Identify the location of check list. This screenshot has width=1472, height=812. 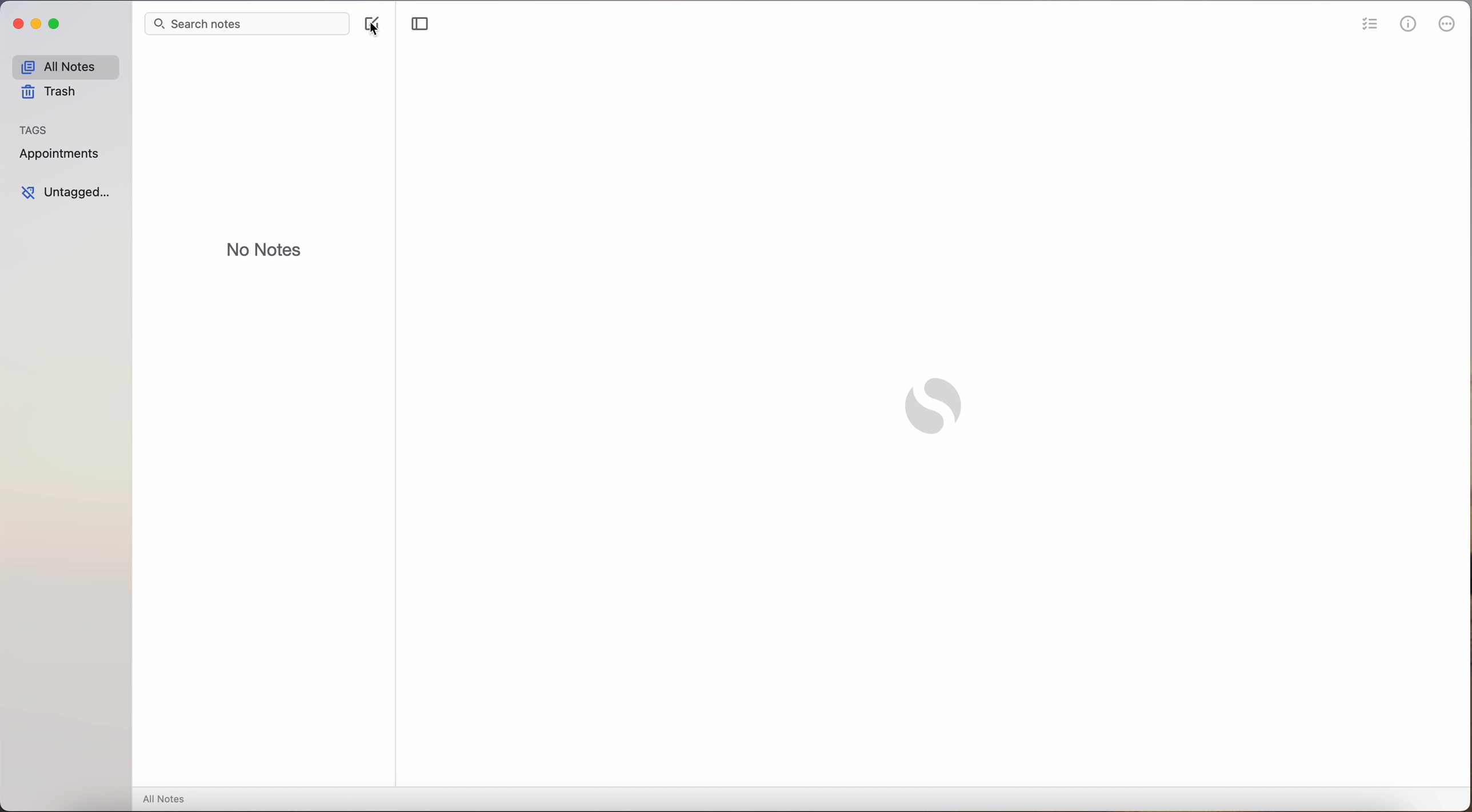
(1369, 25).